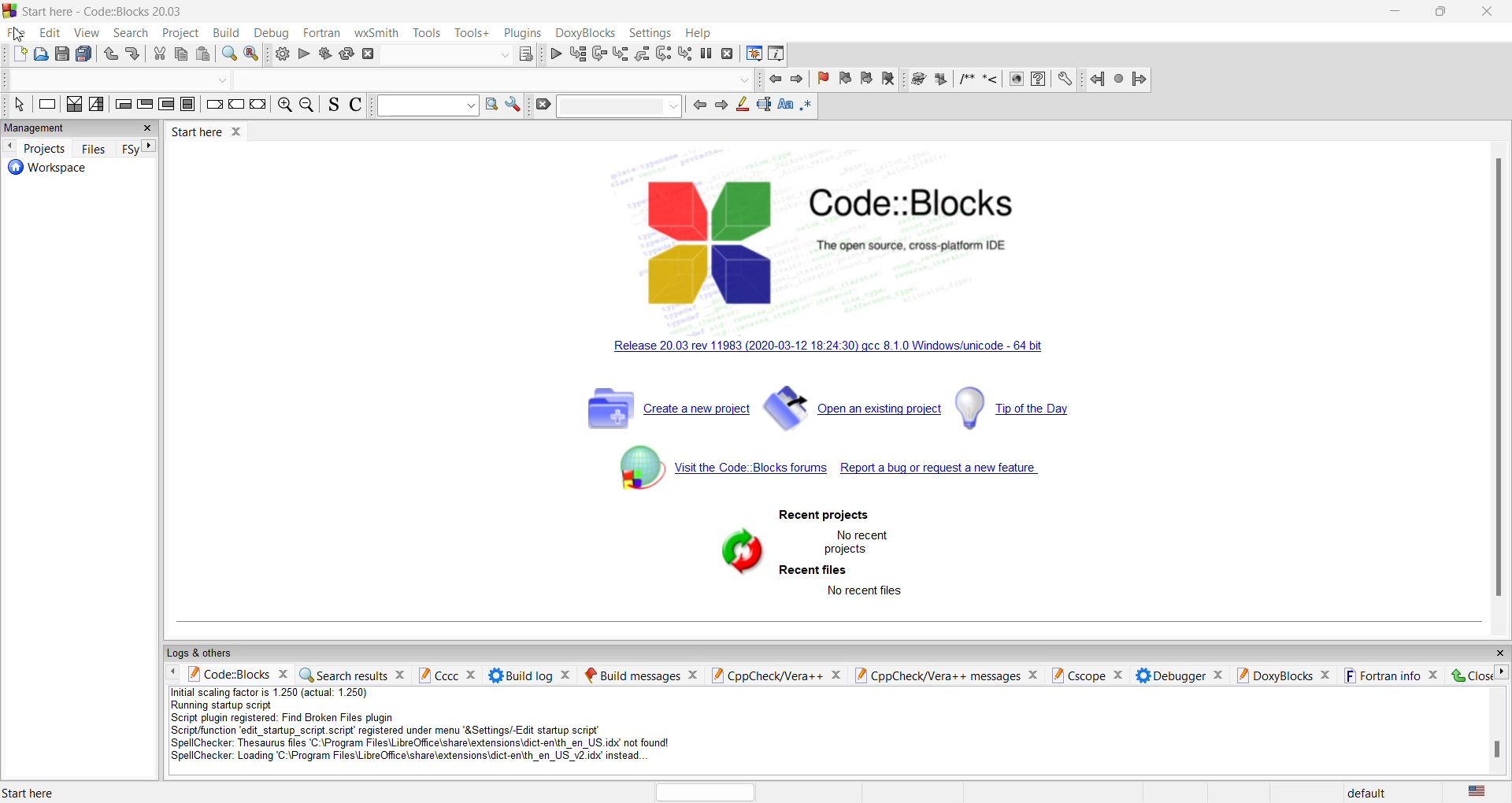 This screenshot has width=1512, height=803. What do you see at coordinates (1017, 80) in the screenshot?
I see `info icon` at bounding box center [1017, 80].